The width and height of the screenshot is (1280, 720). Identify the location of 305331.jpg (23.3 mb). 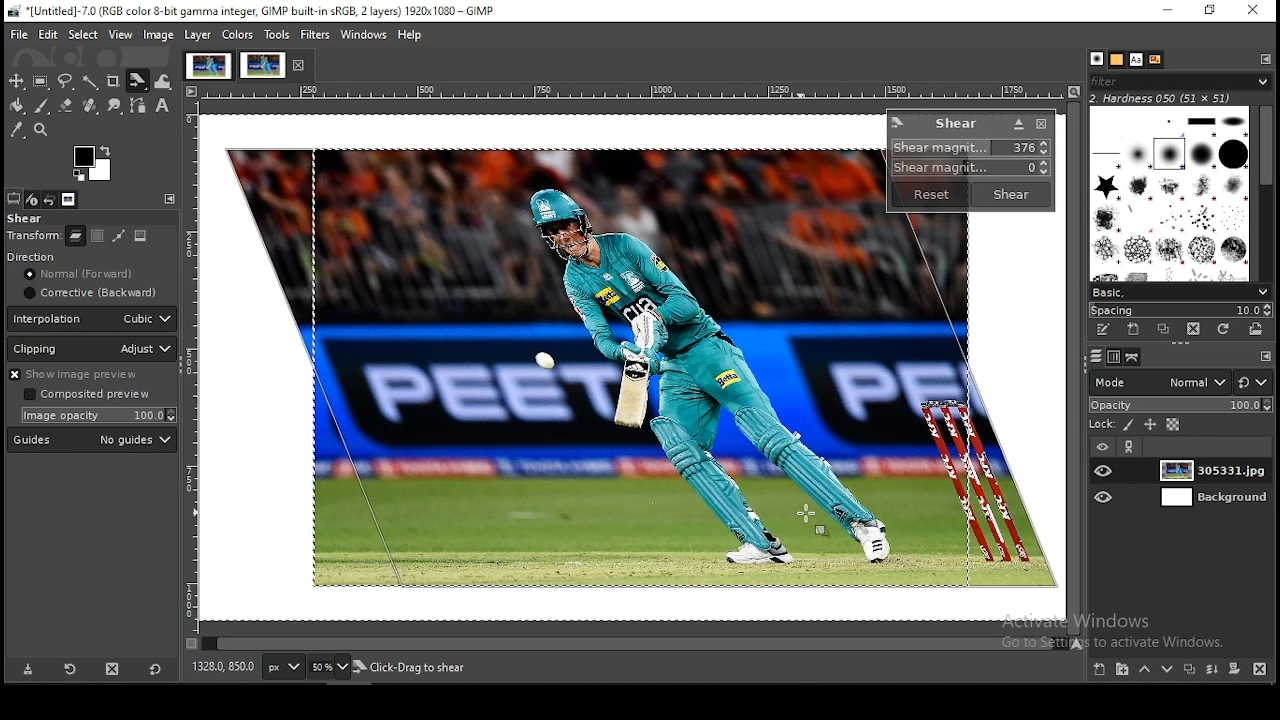
(406, 668).